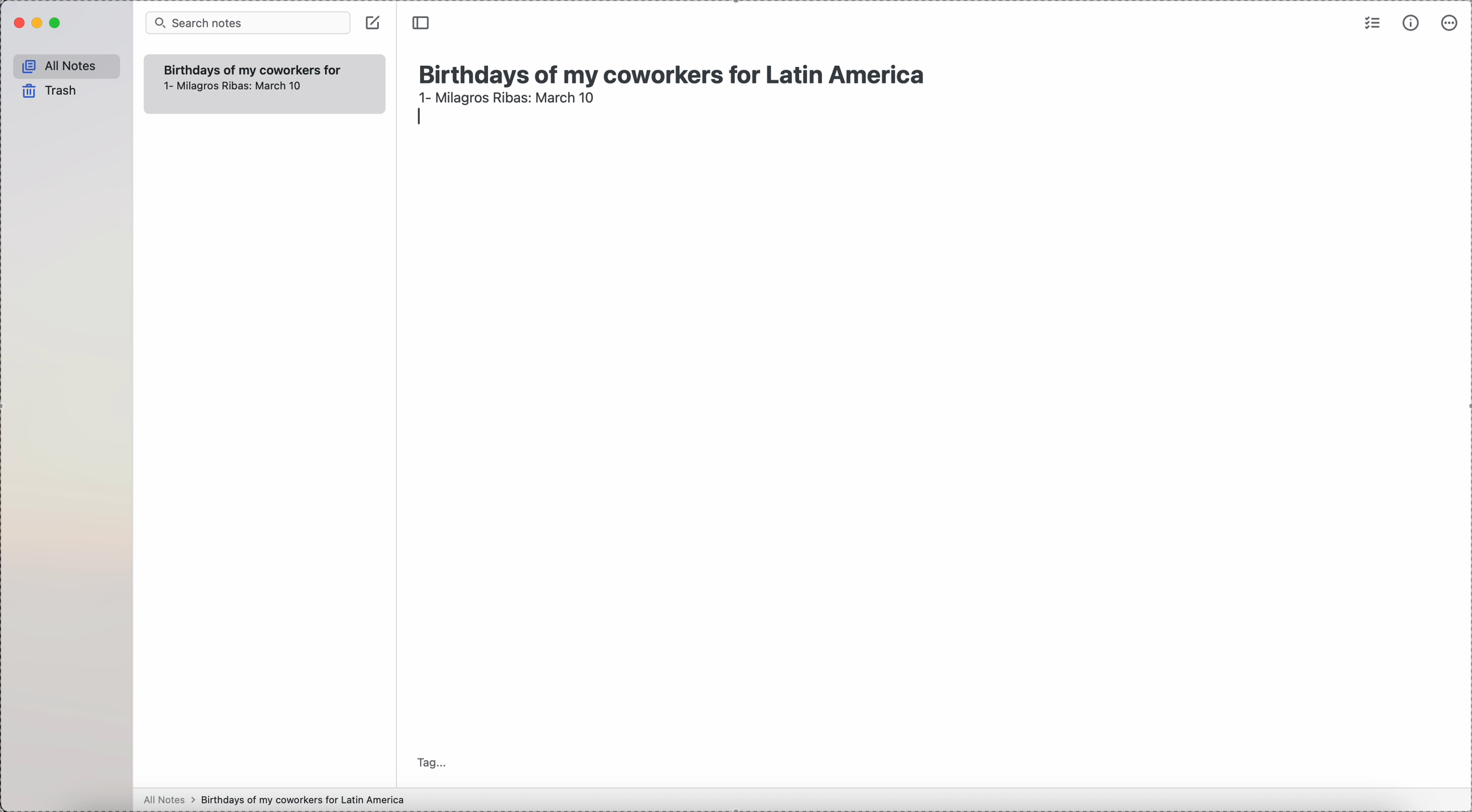  I want to click on 1- Milagros Ribas: March 10, so click(230, 89).